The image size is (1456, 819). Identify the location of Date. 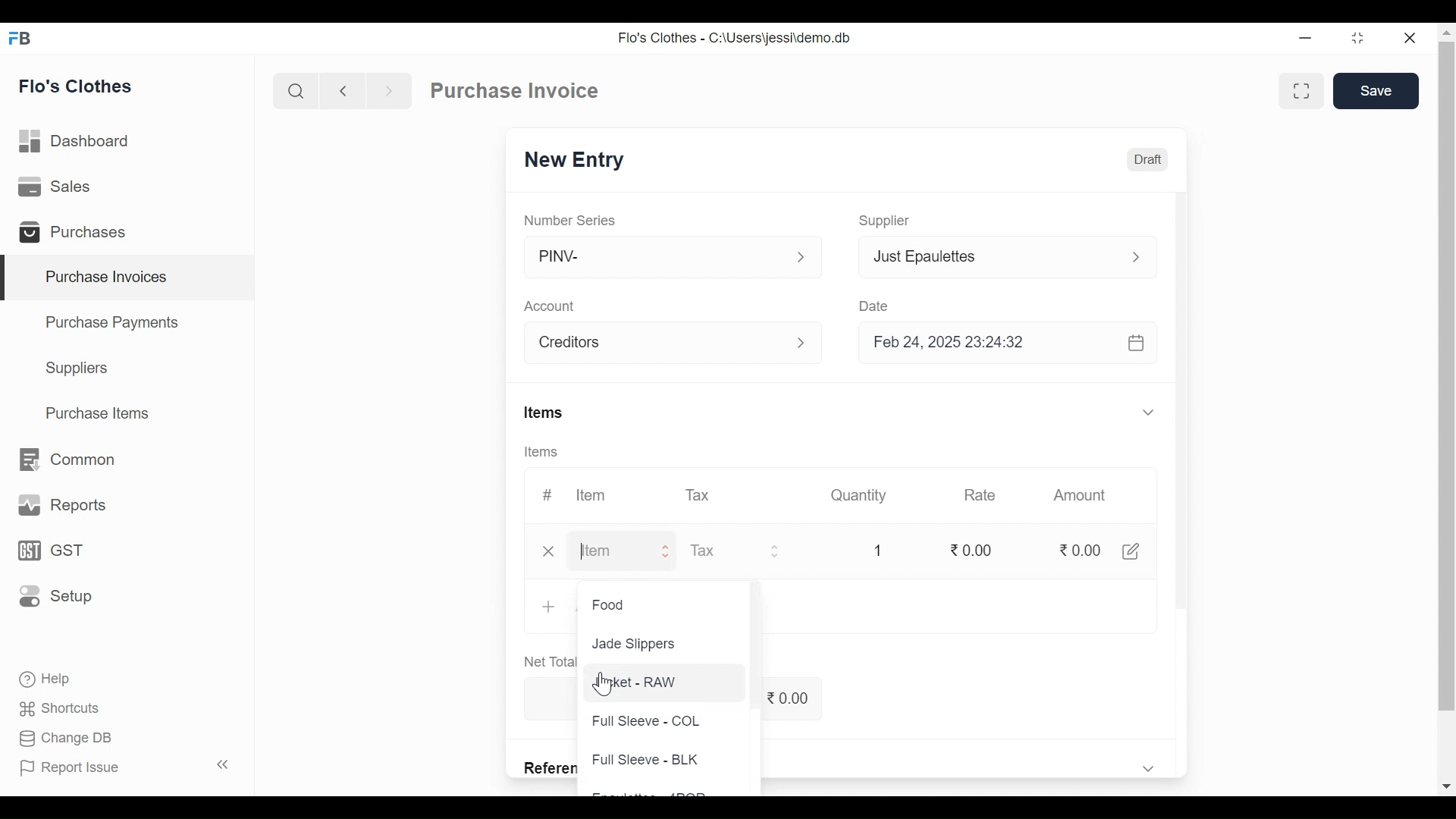
(883, 303).